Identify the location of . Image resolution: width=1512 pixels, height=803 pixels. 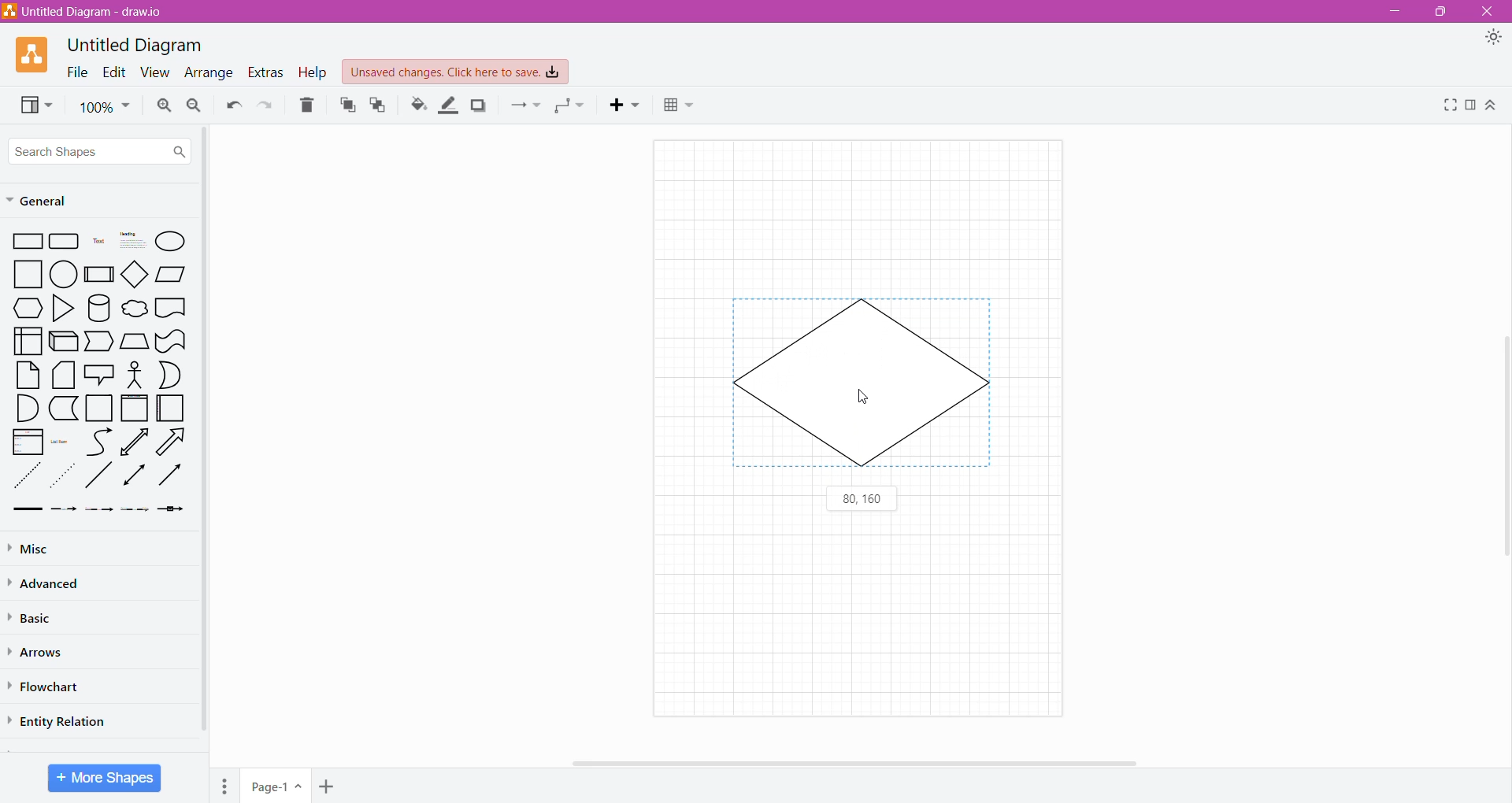
(276, 786).